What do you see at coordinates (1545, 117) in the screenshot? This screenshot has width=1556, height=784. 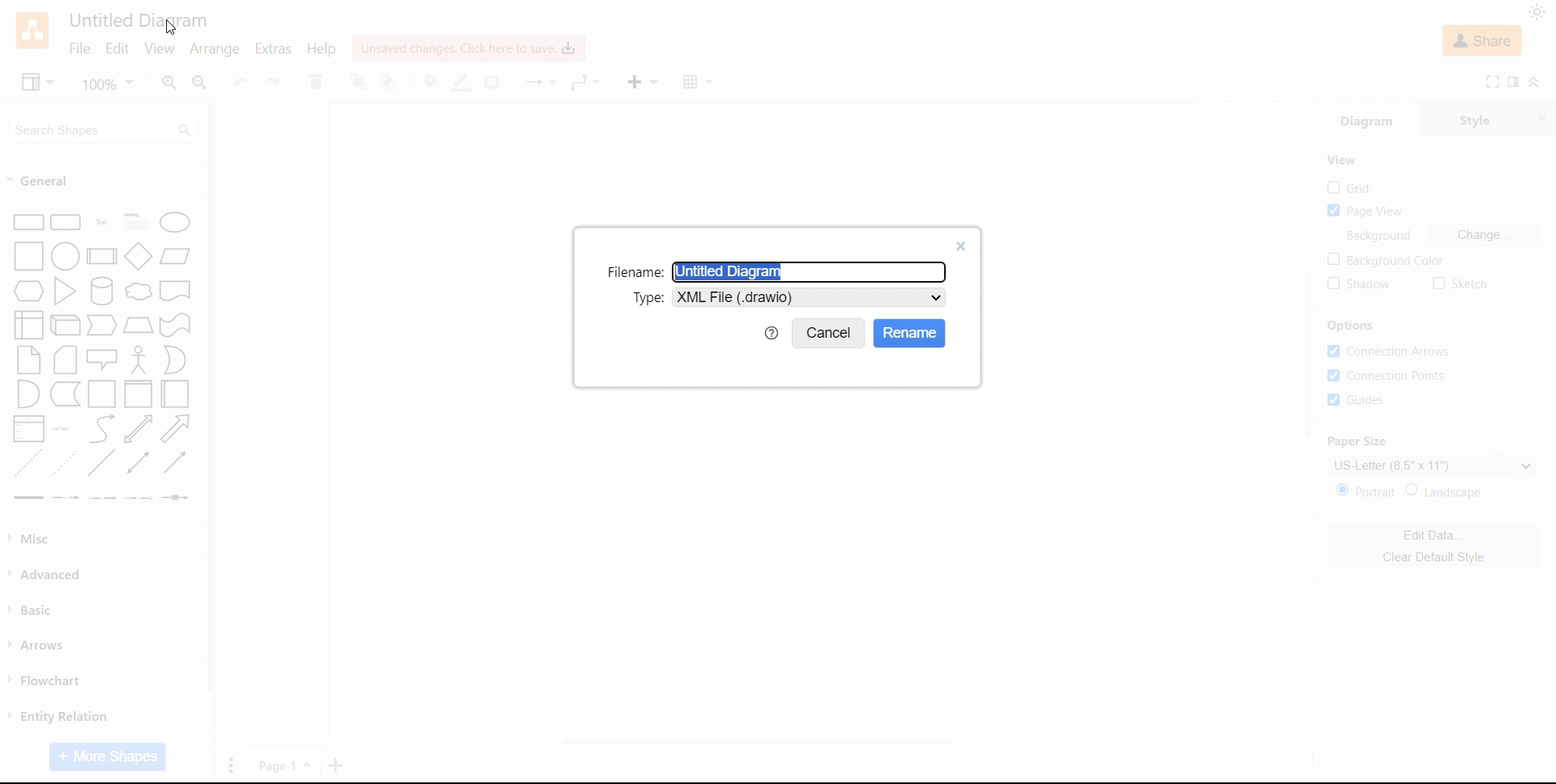 I see `Close tabs ` at bounding box center [1545, 117].